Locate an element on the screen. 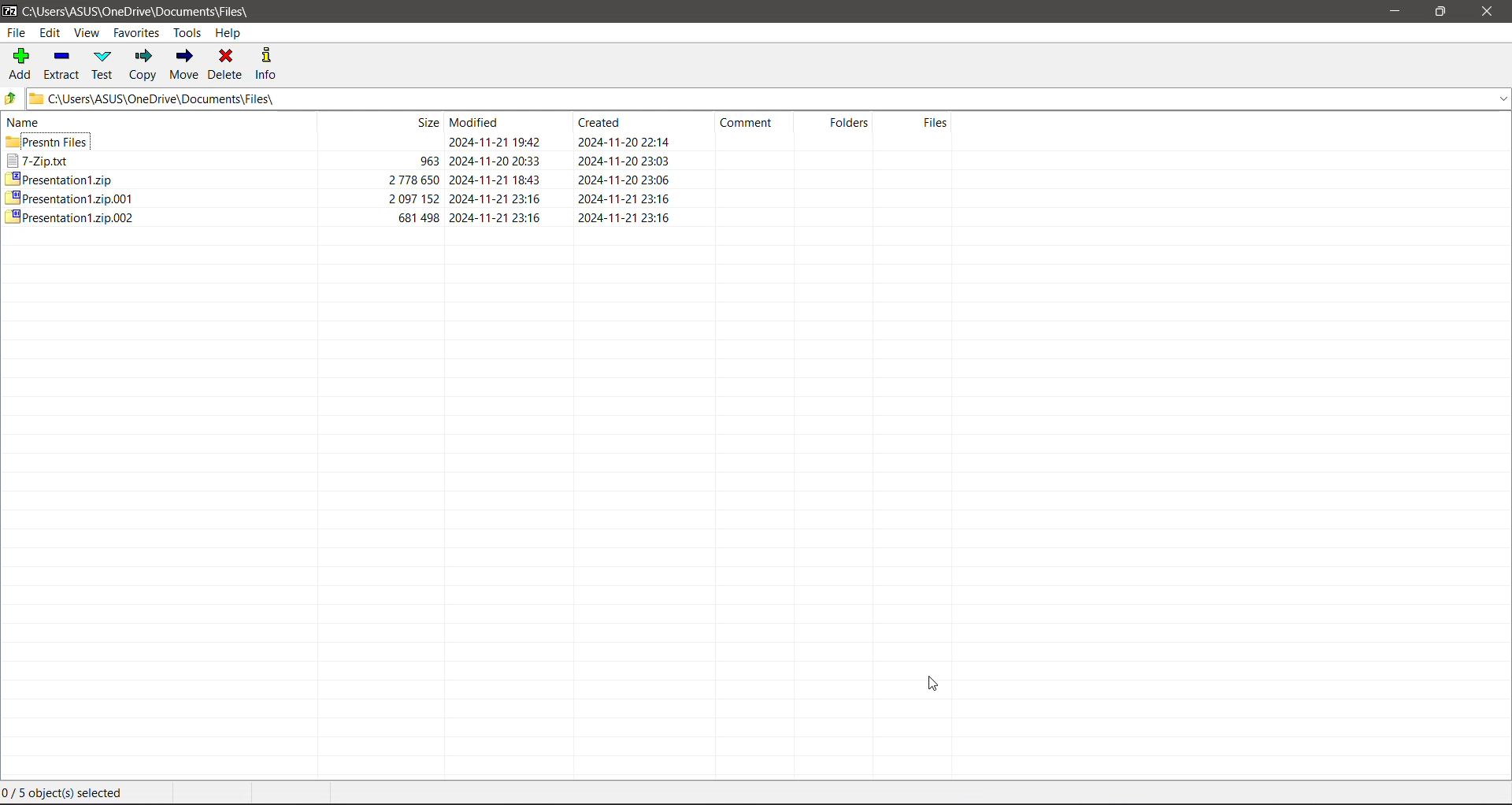  Size is located at coordinates (414, 123).